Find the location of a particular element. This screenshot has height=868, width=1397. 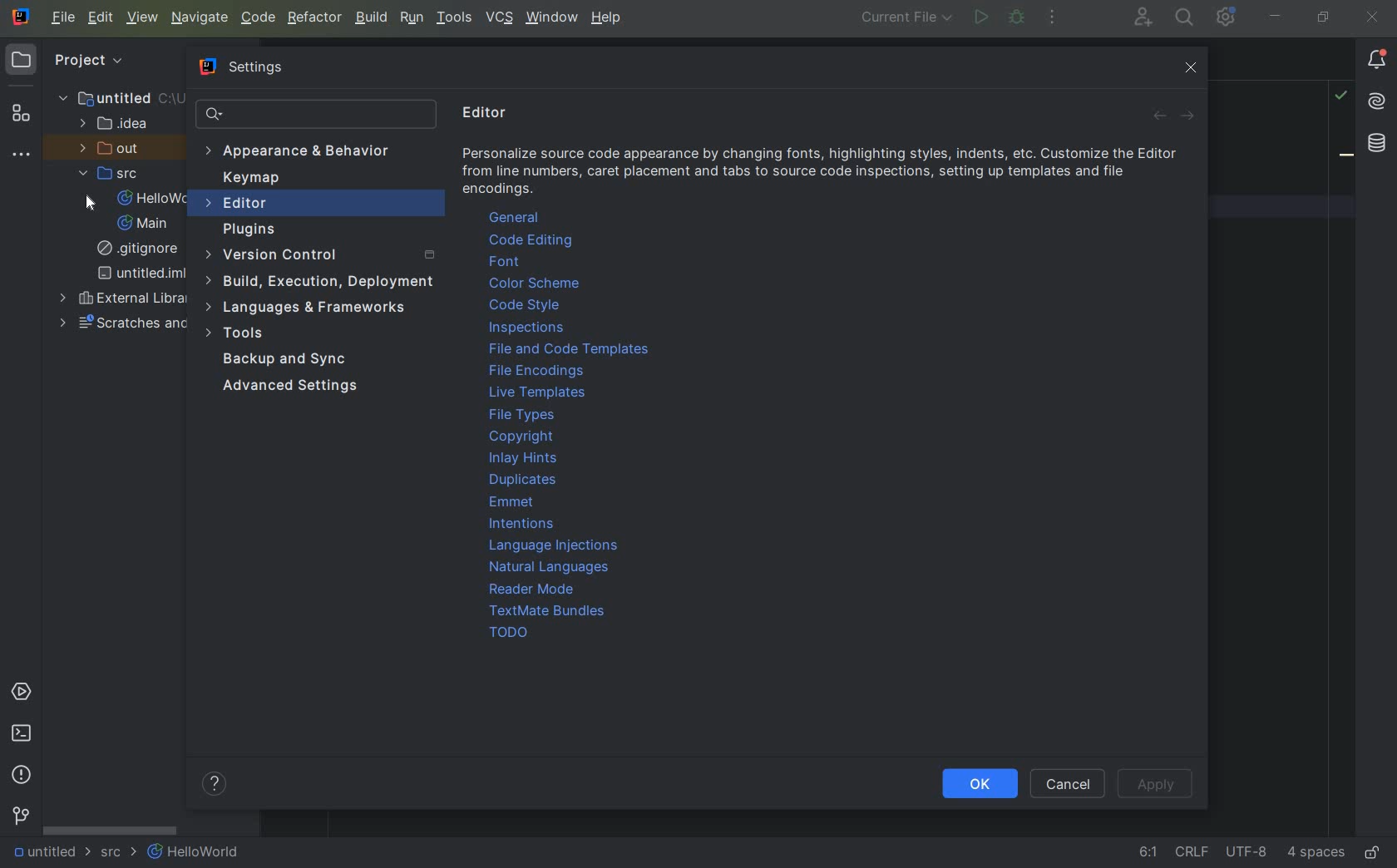

file encoding is located at coordinates (538, 372).